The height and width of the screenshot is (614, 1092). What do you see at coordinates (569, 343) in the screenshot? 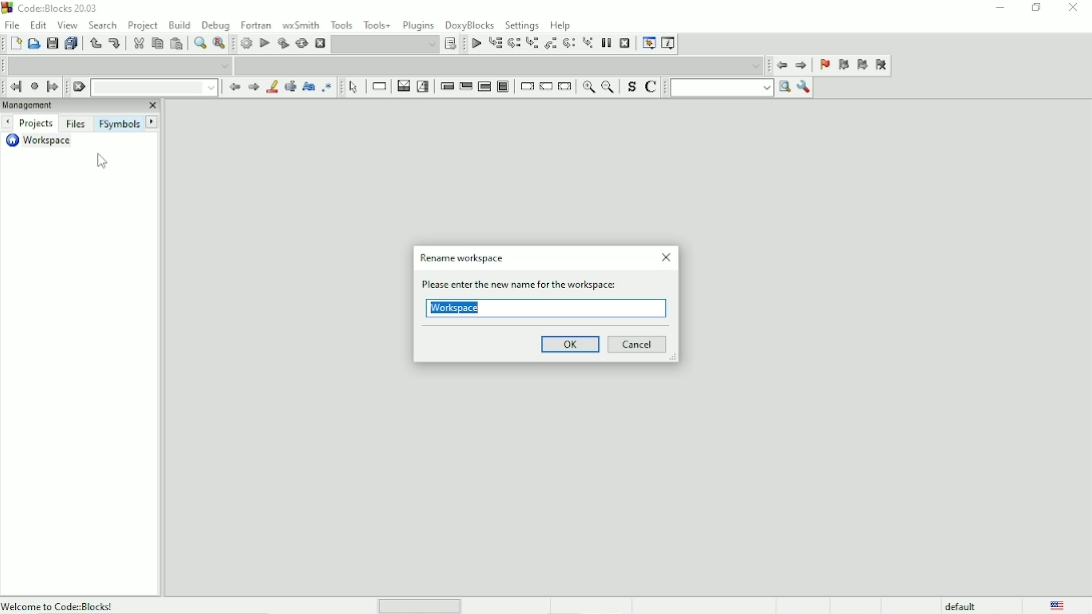
I see `OK` at bounding box center [569, 343].